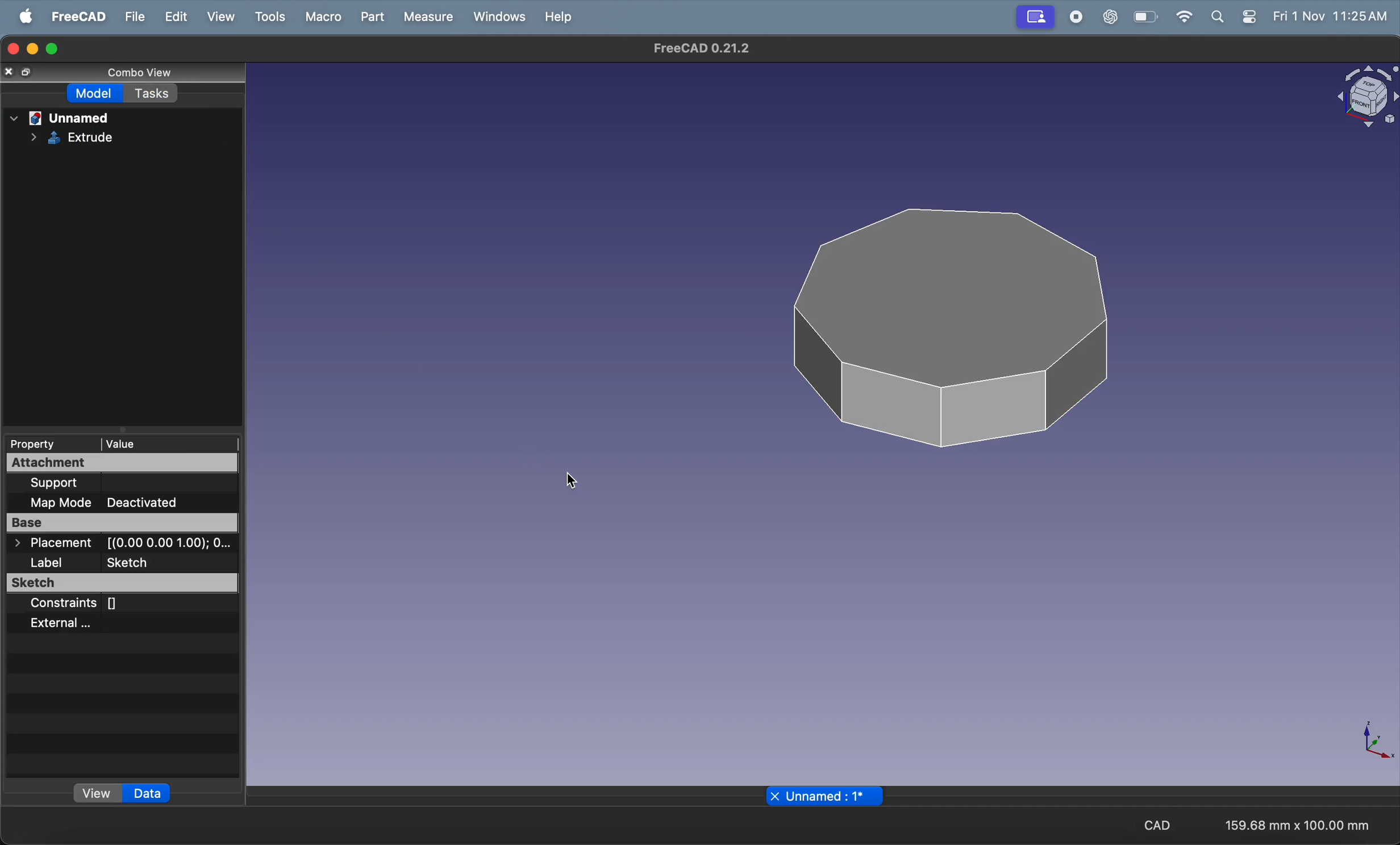 Image resolution: width=1400 pixels, height=845 pixels. I want to click on Deactivated, so click(144, 502).